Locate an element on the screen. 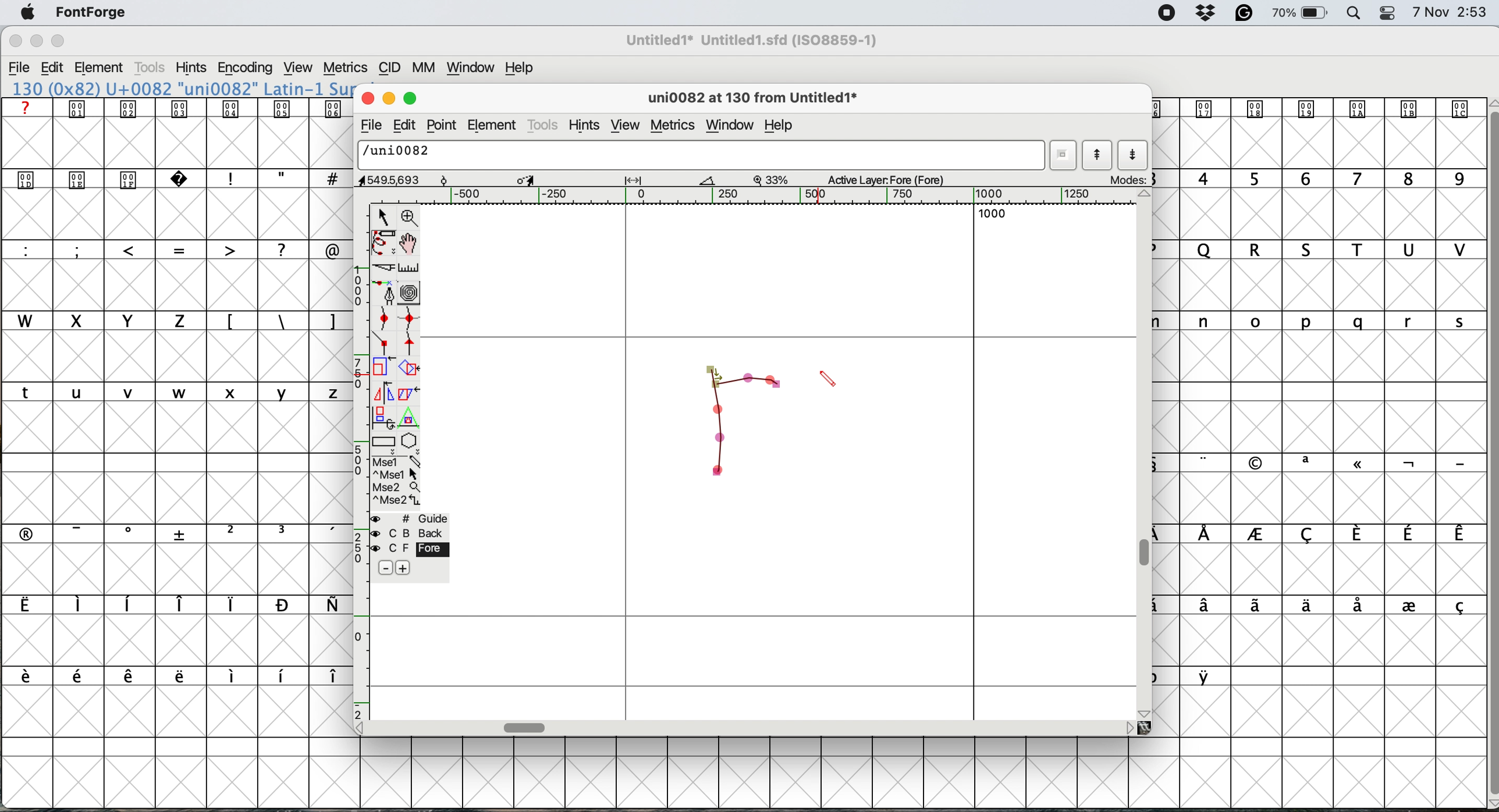 The width and height of the screenshot is (1499, 812). show next letter is located at coordinates (1132, 156).